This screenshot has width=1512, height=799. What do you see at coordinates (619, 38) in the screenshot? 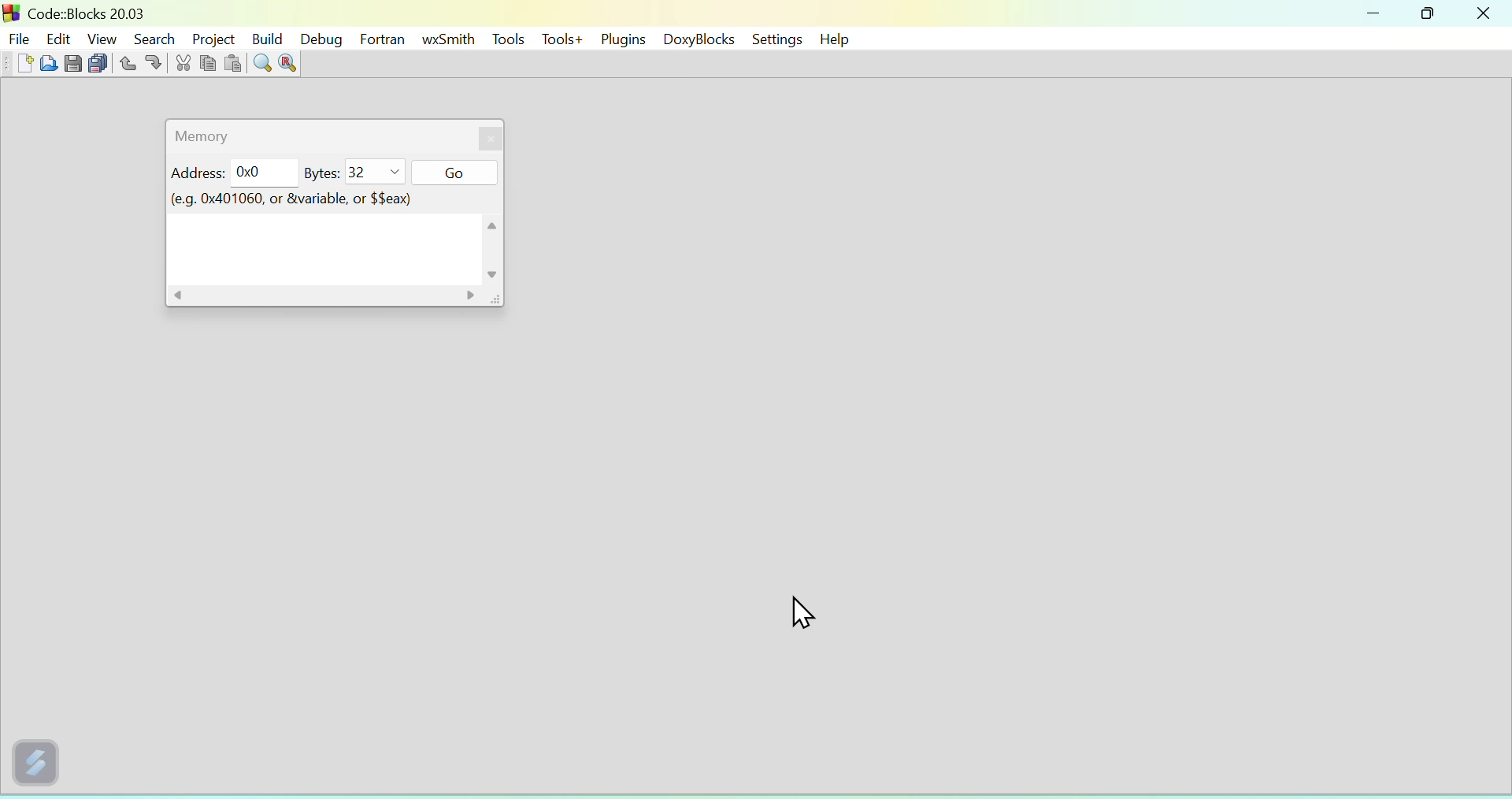
I see `Plugins` at bounding box center [619, 38].